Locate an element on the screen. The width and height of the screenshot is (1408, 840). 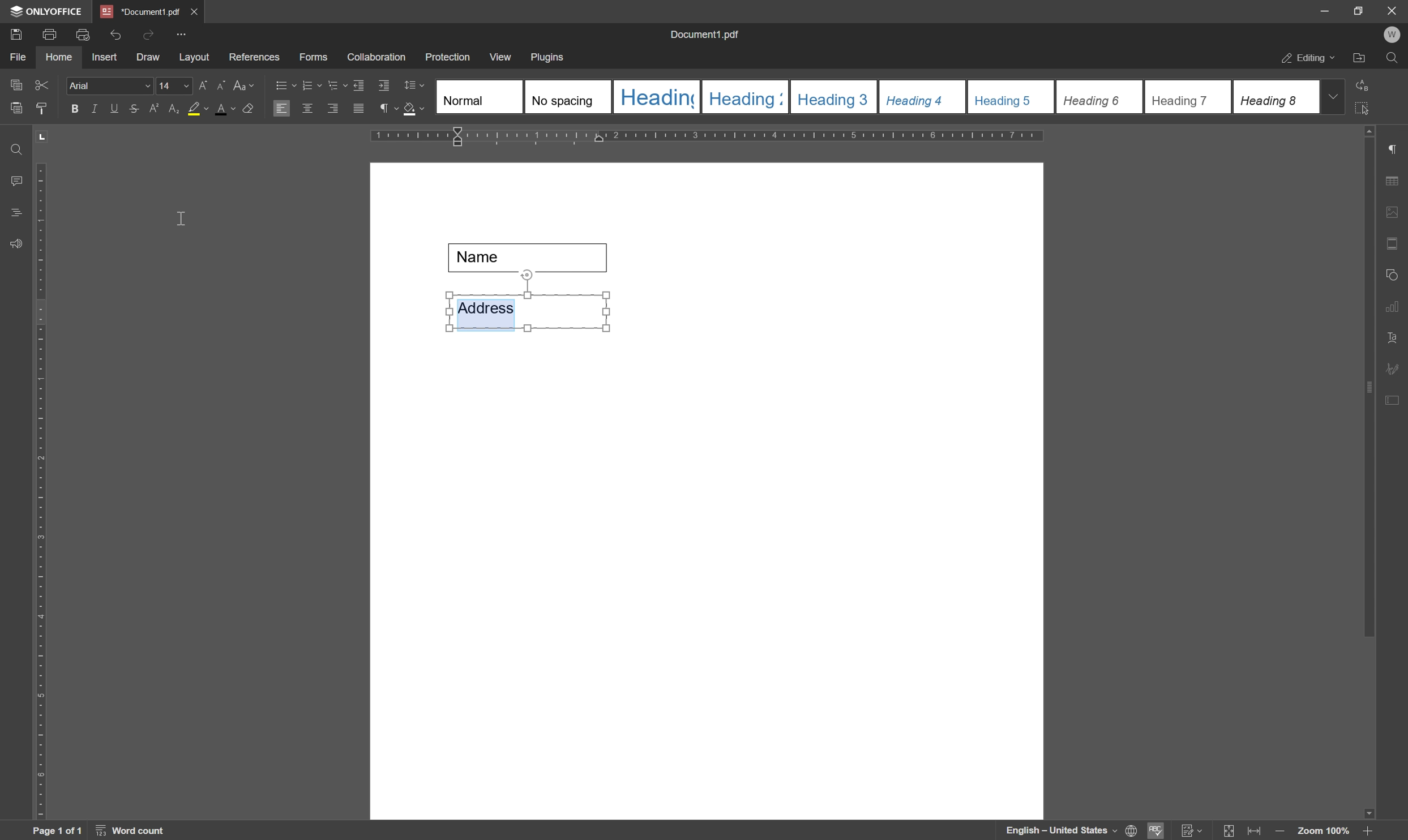
forms is located at coordinates (314, 58).